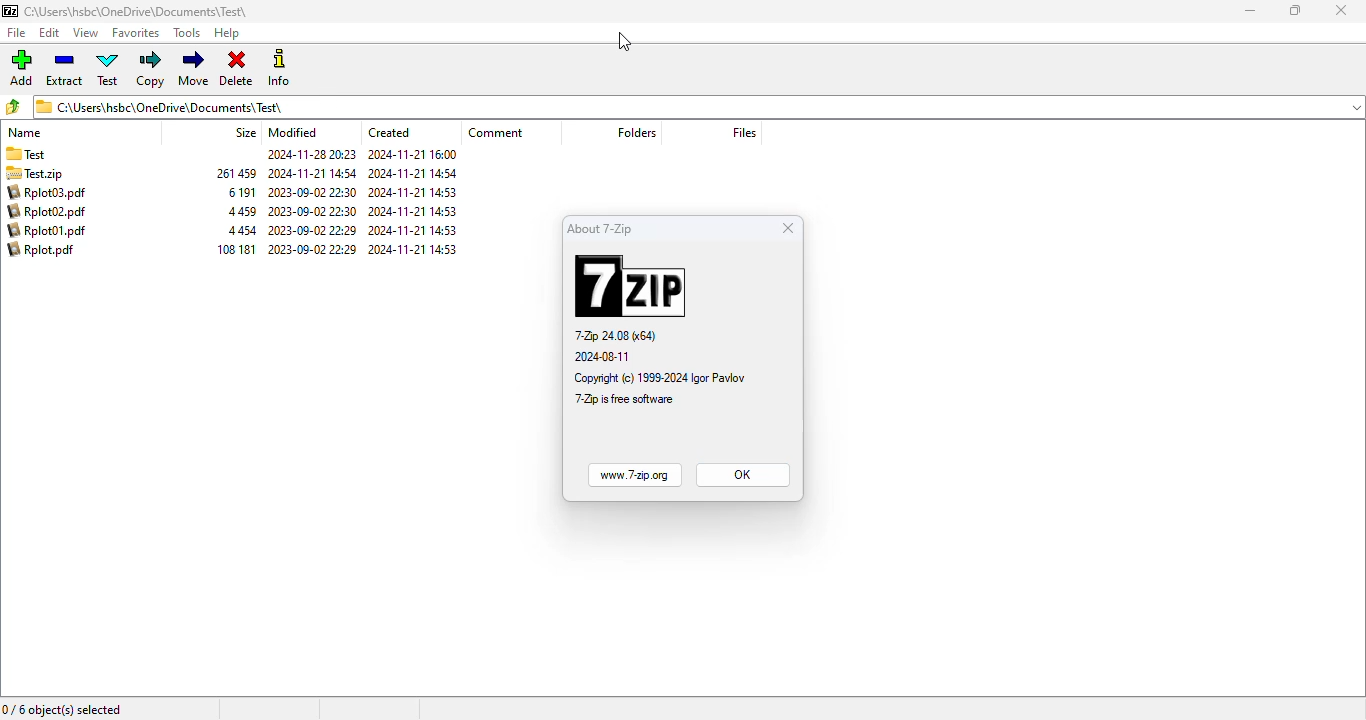 This screenshot has height=720, width=1366. What do you see at coordinates (108, 68) in the screenshot?
I see `test` at bounding box center [108, 68].